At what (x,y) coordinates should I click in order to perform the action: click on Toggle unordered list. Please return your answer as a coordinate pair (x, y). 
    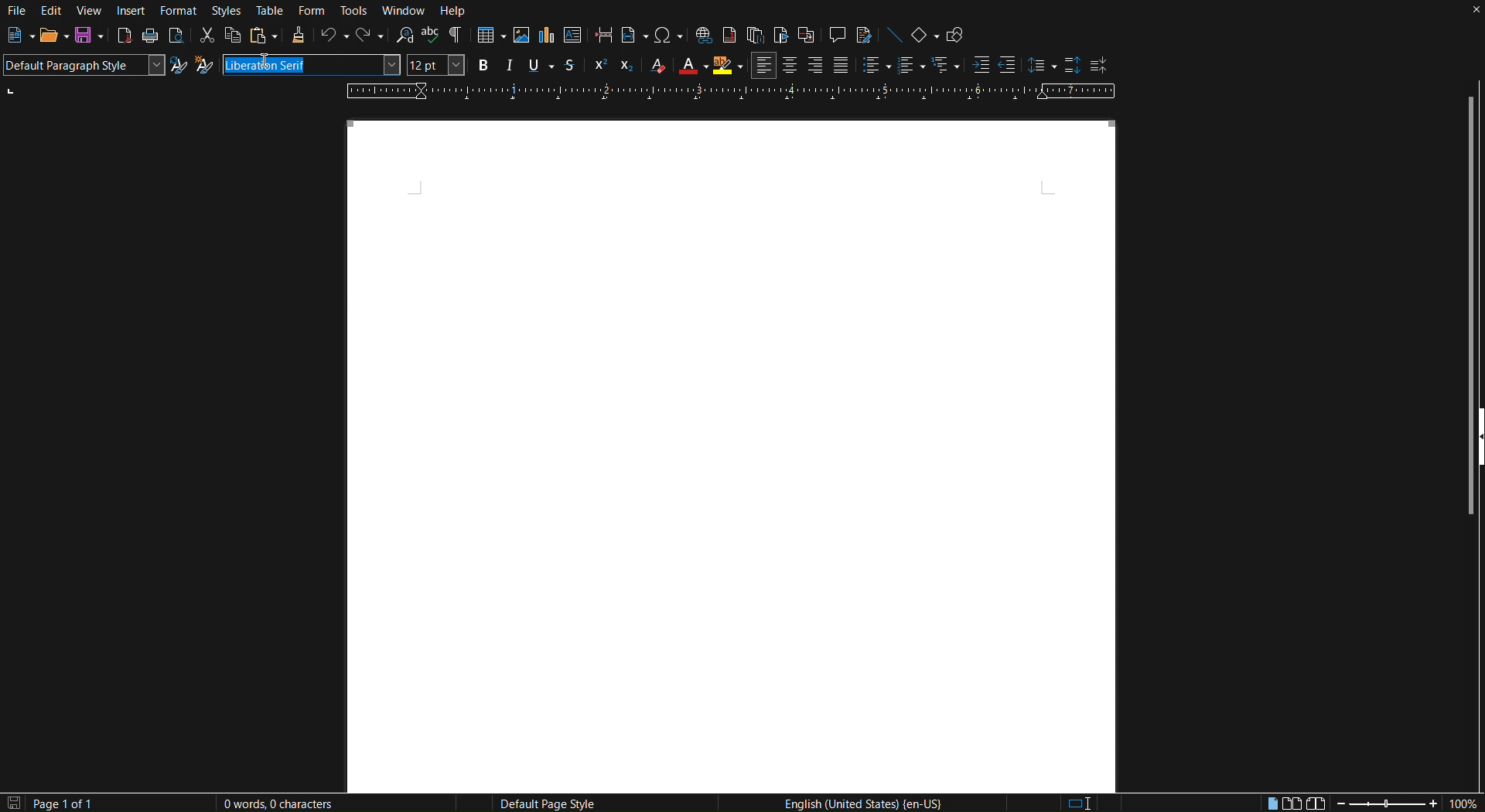
    Looking at the image, I should click on (873, 67).